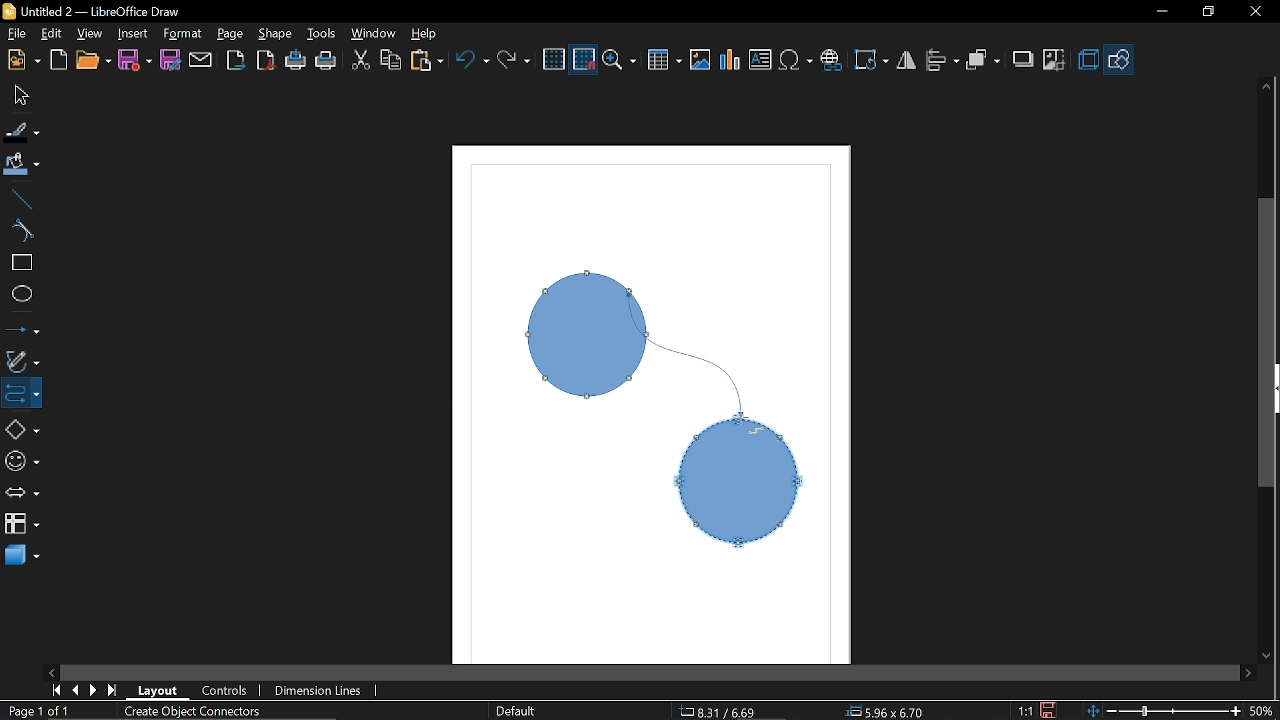 This screenshot has width=1280, height=720. What do you see at coordinates (472, 59) in the screenshot?
I see `Undo` at bounding box center [472, 59].